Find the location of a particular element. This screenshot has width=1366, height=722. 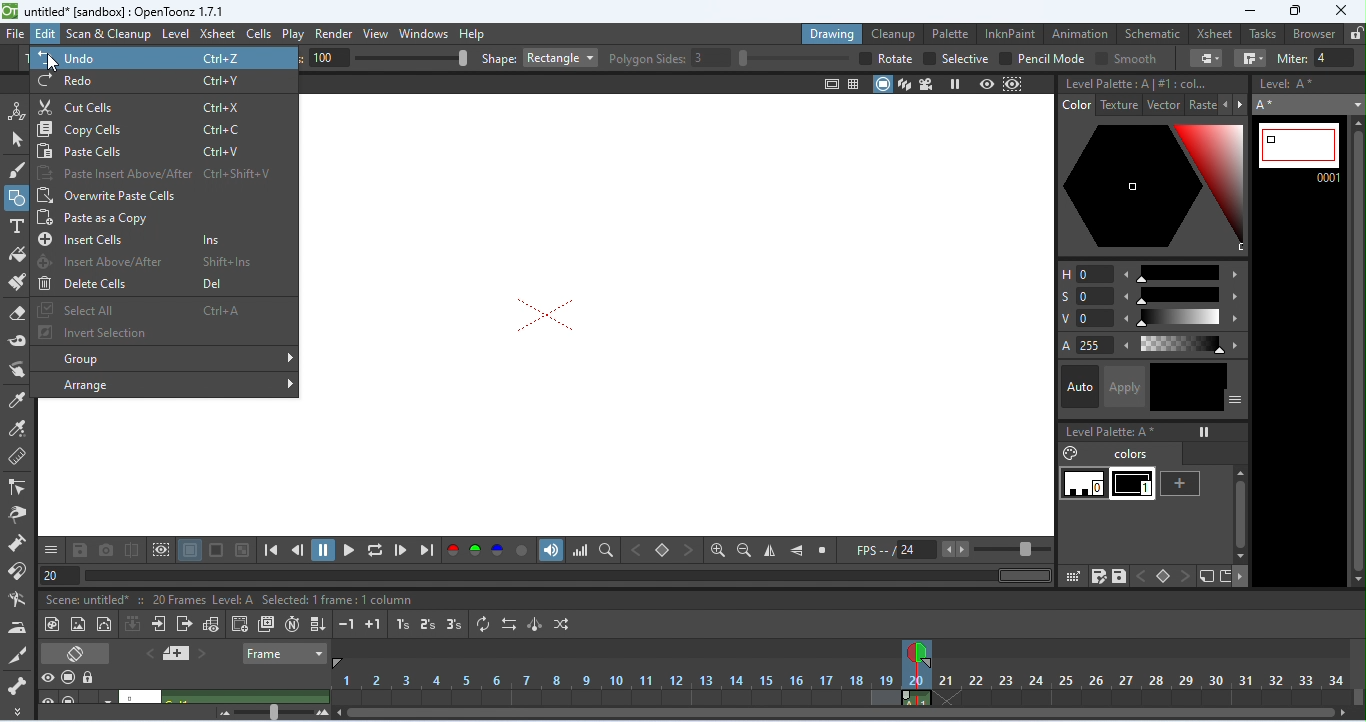

browser is located at coordinates (1315, 34).